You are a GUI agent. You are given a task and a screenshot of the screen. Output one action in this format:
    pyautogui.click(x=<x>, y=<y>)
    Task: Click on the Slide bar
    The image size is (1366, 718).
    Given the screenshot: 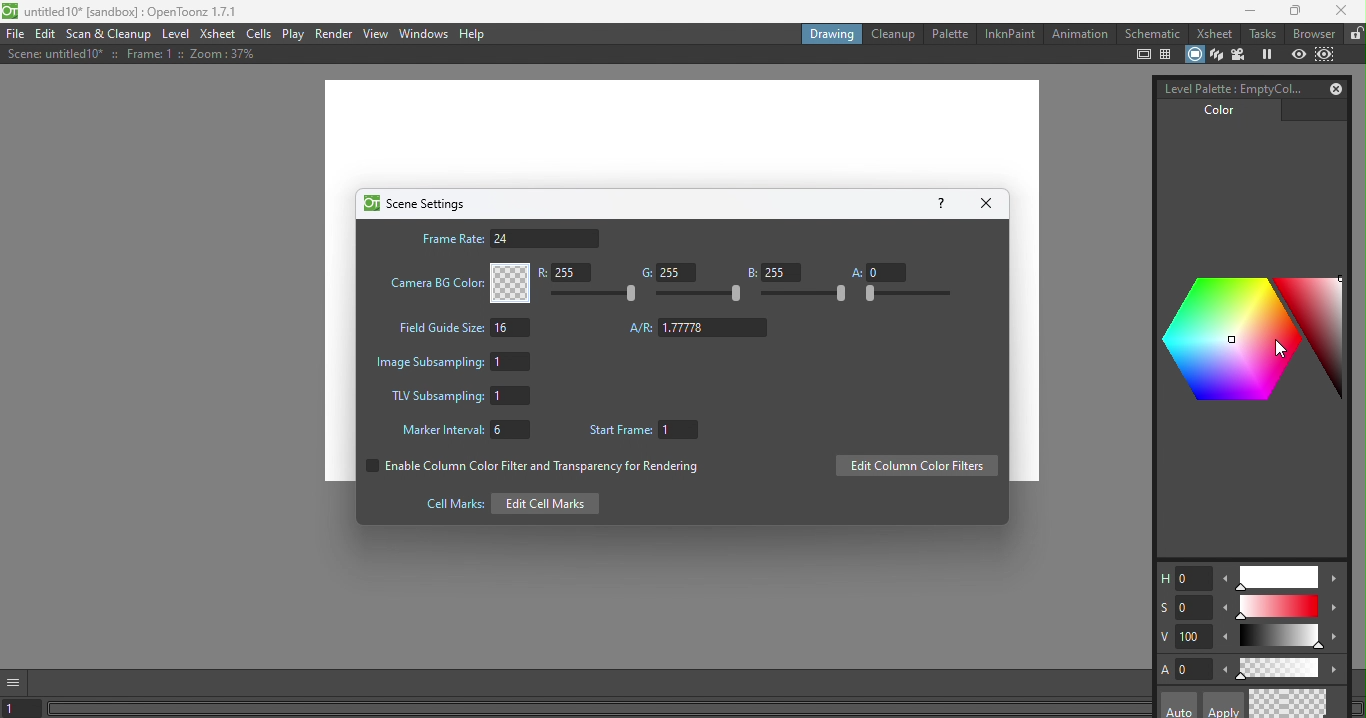 What is the action you would take?
    pyautogui.click(x=805, y=295)
    